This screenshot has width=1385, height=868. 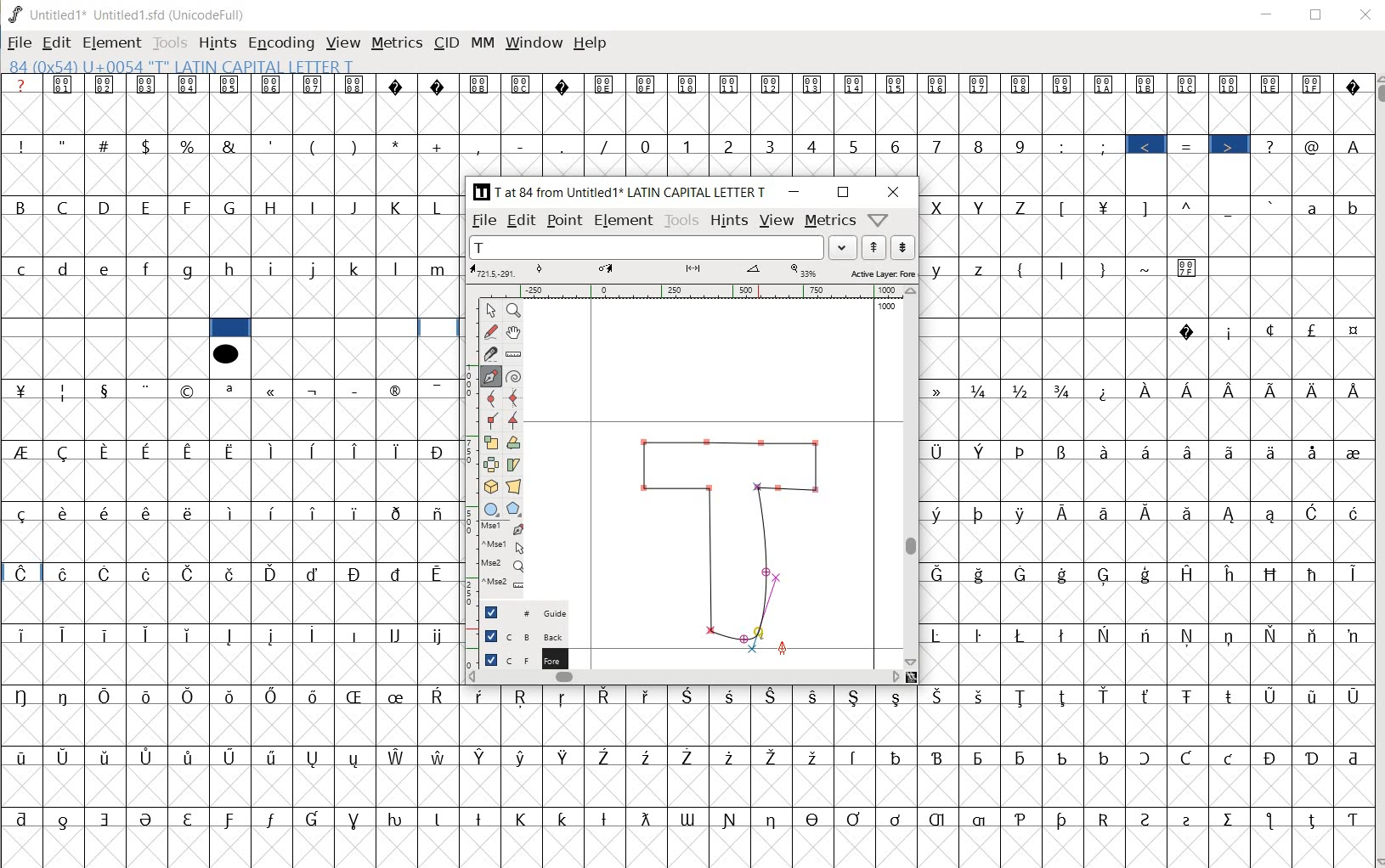 I want to click on Symbol, so click(x=772, y=756).